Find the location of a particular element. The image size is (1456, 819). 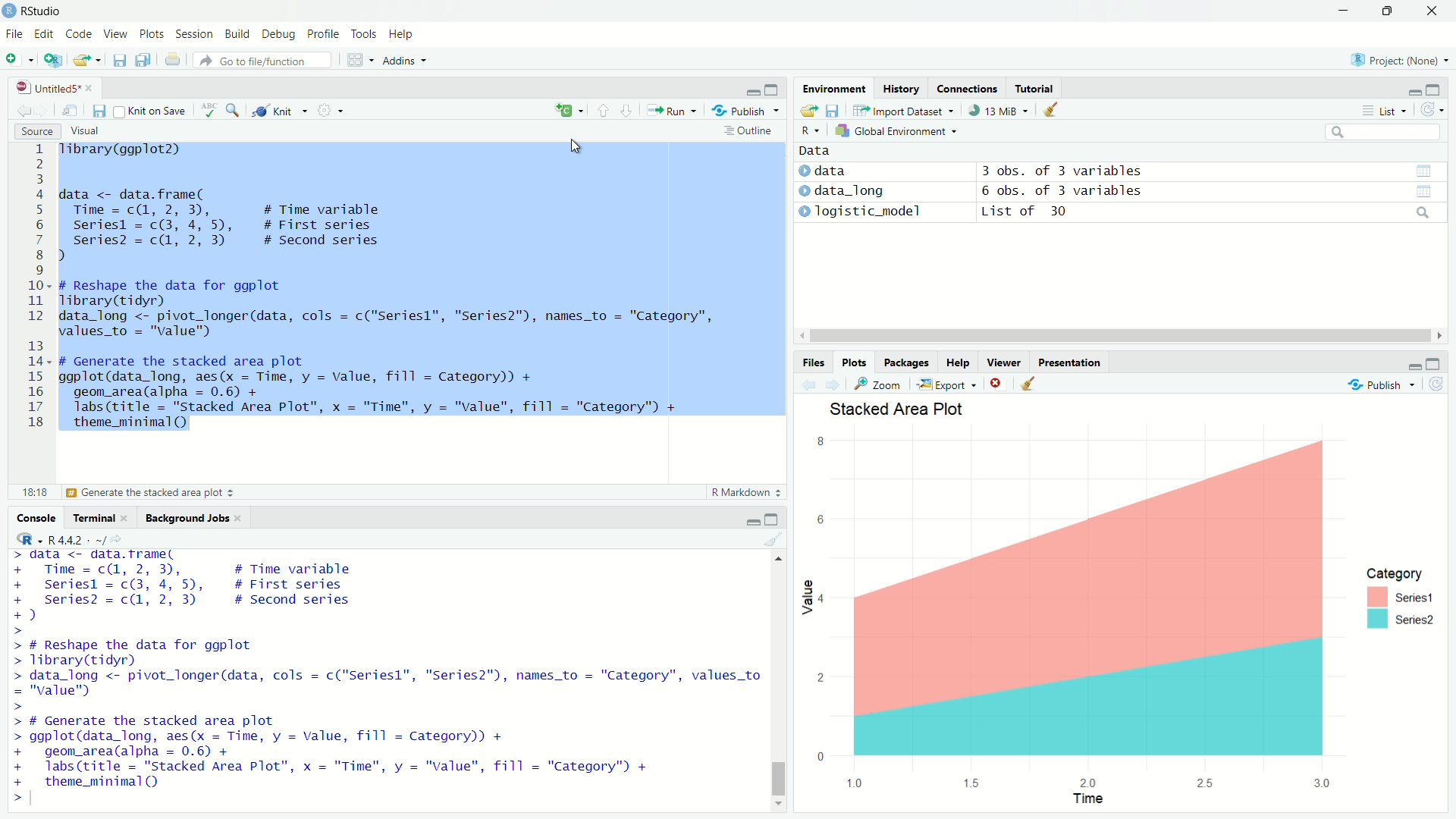

Files is located at coordinates (808, 362).